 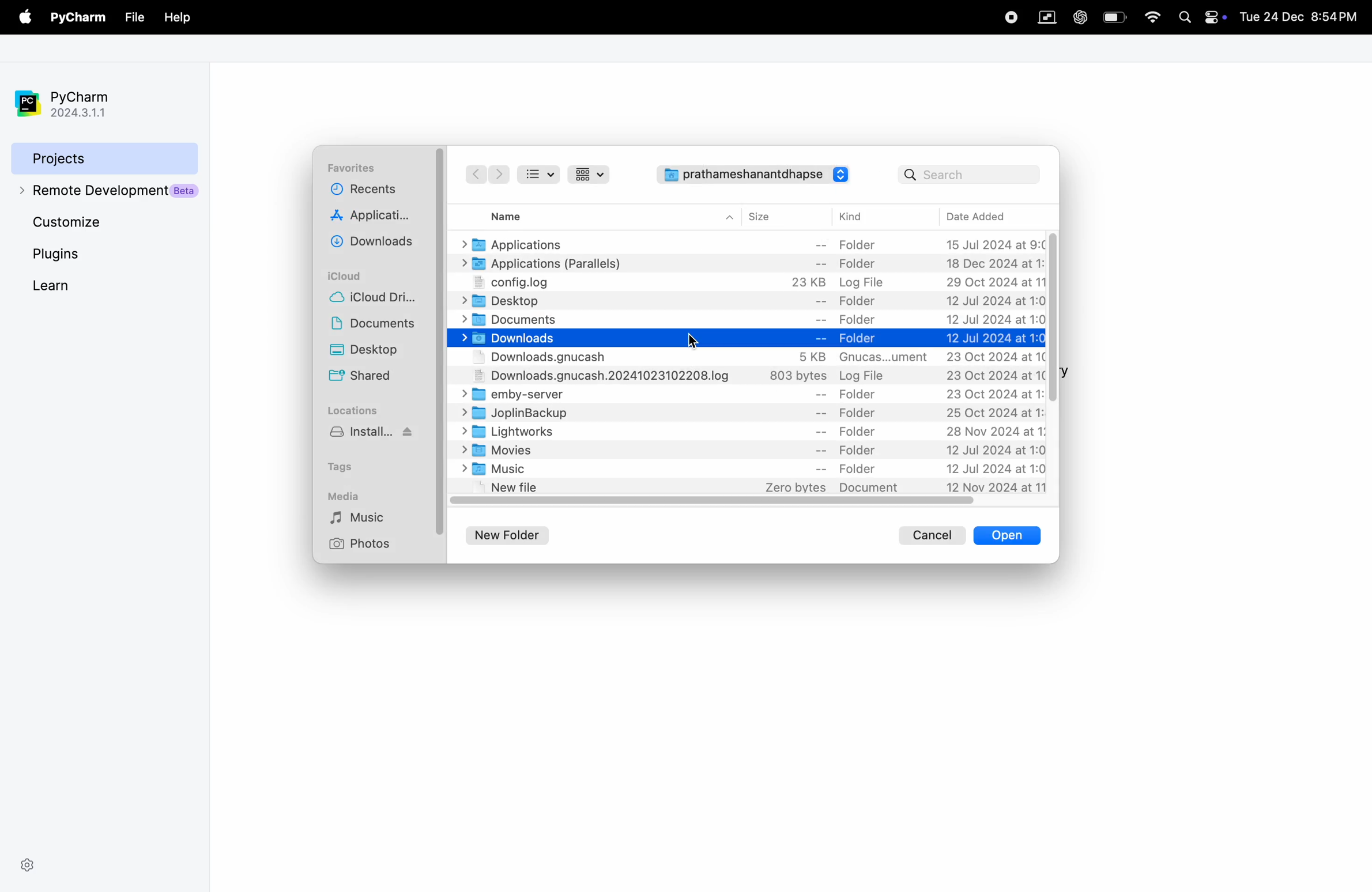 What do you see at coordinates (756, 432) in the screenshot?
I see `light works` at bounding box center [756, 432].